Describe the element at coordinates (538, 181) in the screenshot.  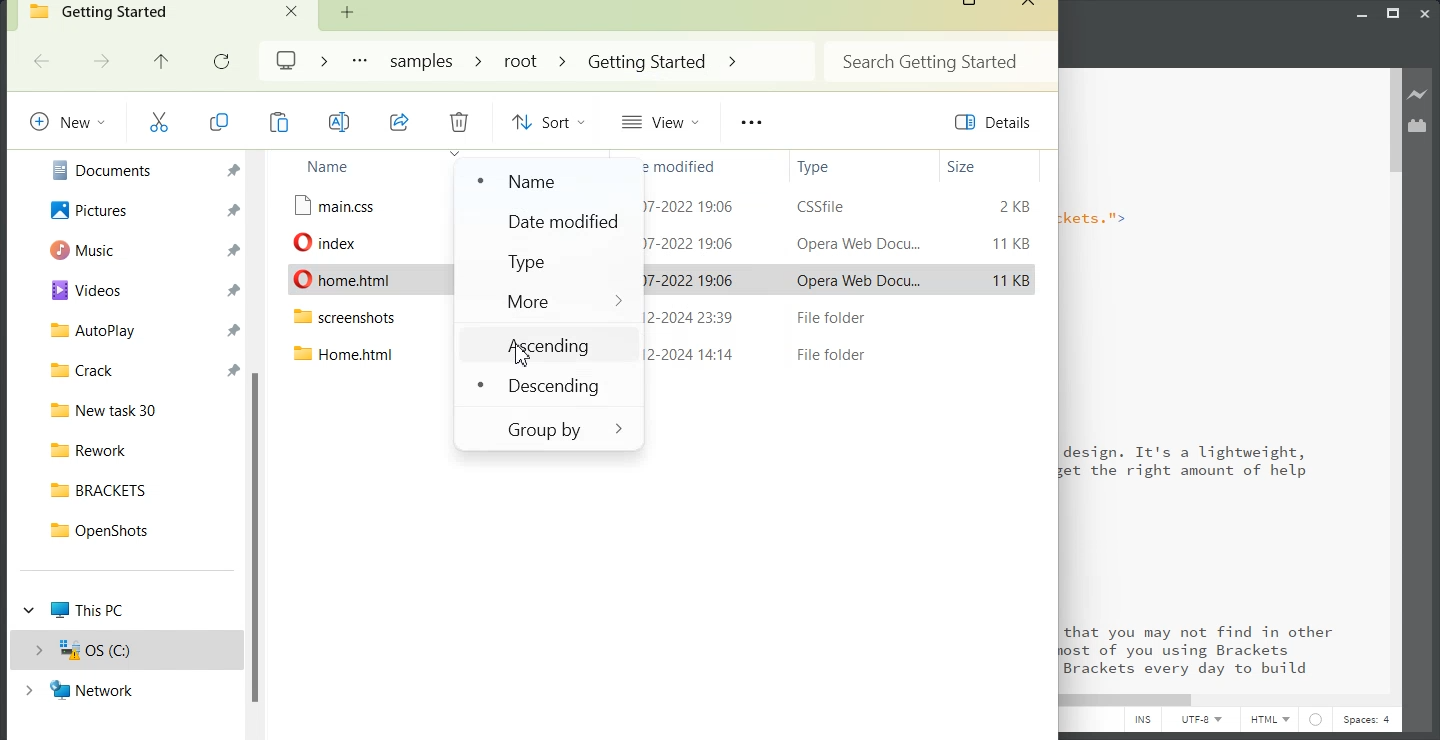
I see `Name ` at that location.